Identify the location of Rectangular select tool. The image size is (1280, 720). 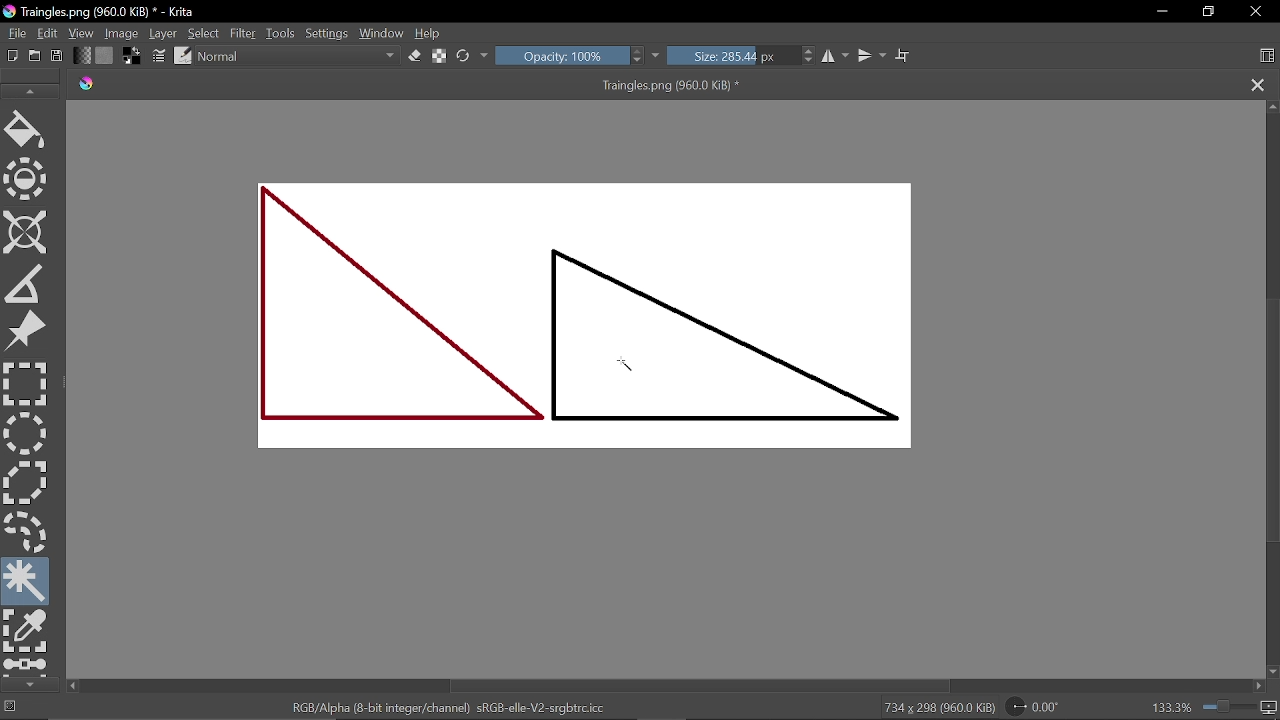
(27, 384).